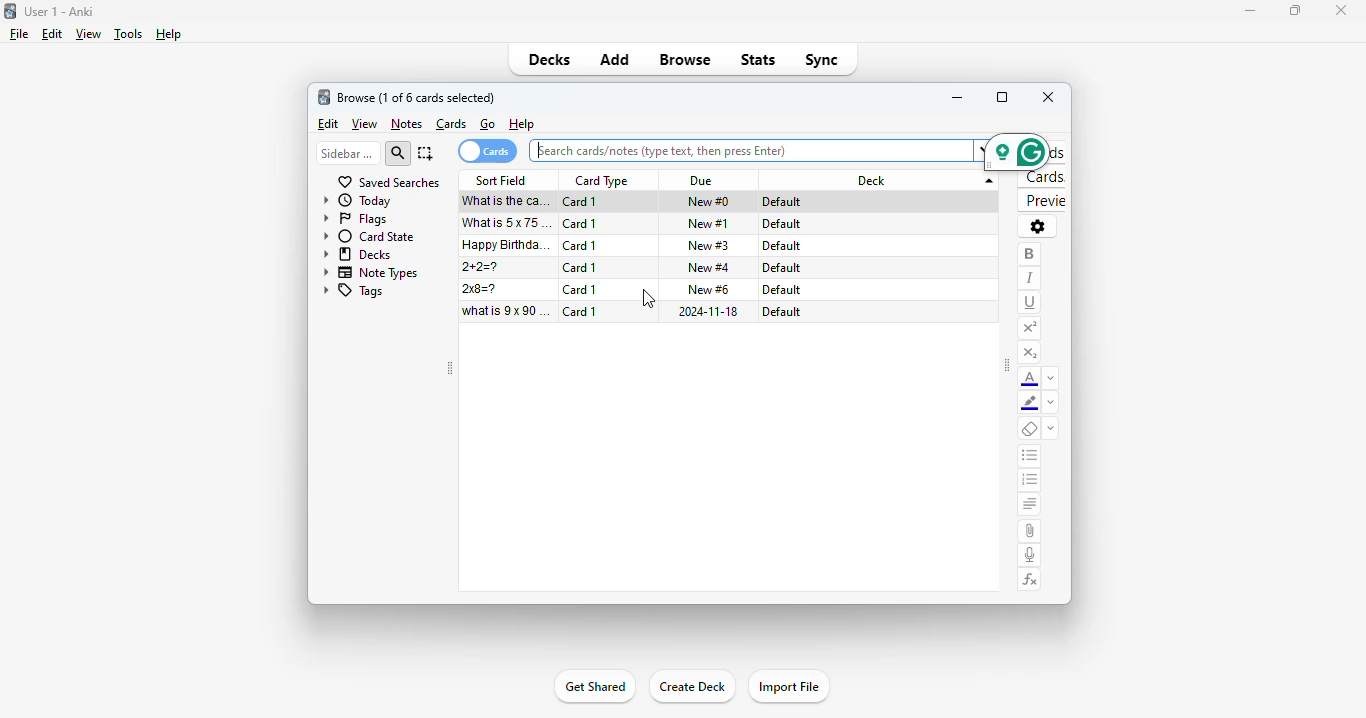  Describe the element at coordinates (358, 254) in the screenshot. I see `decks` at that location.